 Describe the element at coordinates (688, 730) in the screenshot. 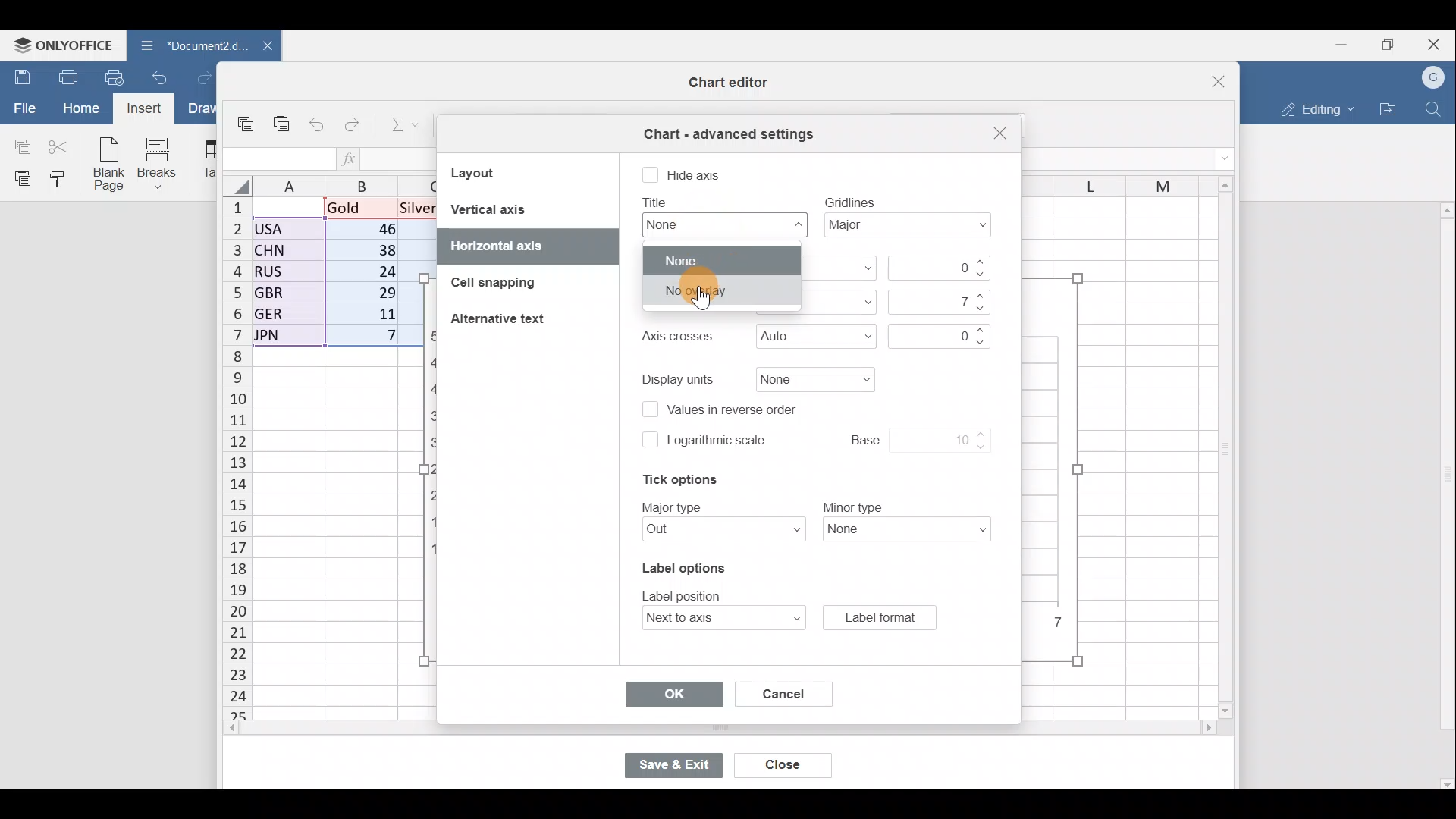

I see `Scroll bar` at that location.